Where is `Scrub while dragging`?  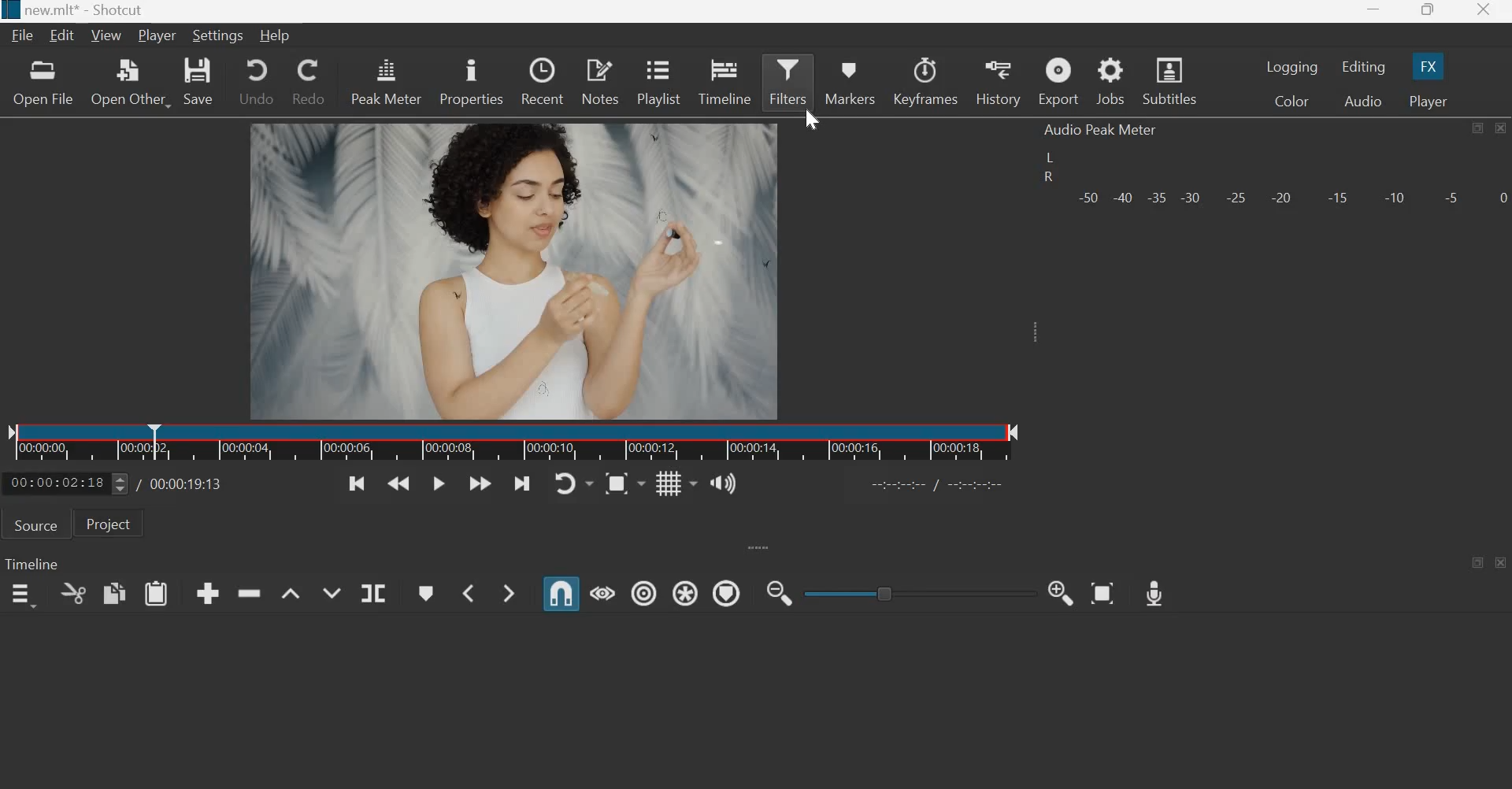 Scrub while dragging is located at coordinates (602, 592).